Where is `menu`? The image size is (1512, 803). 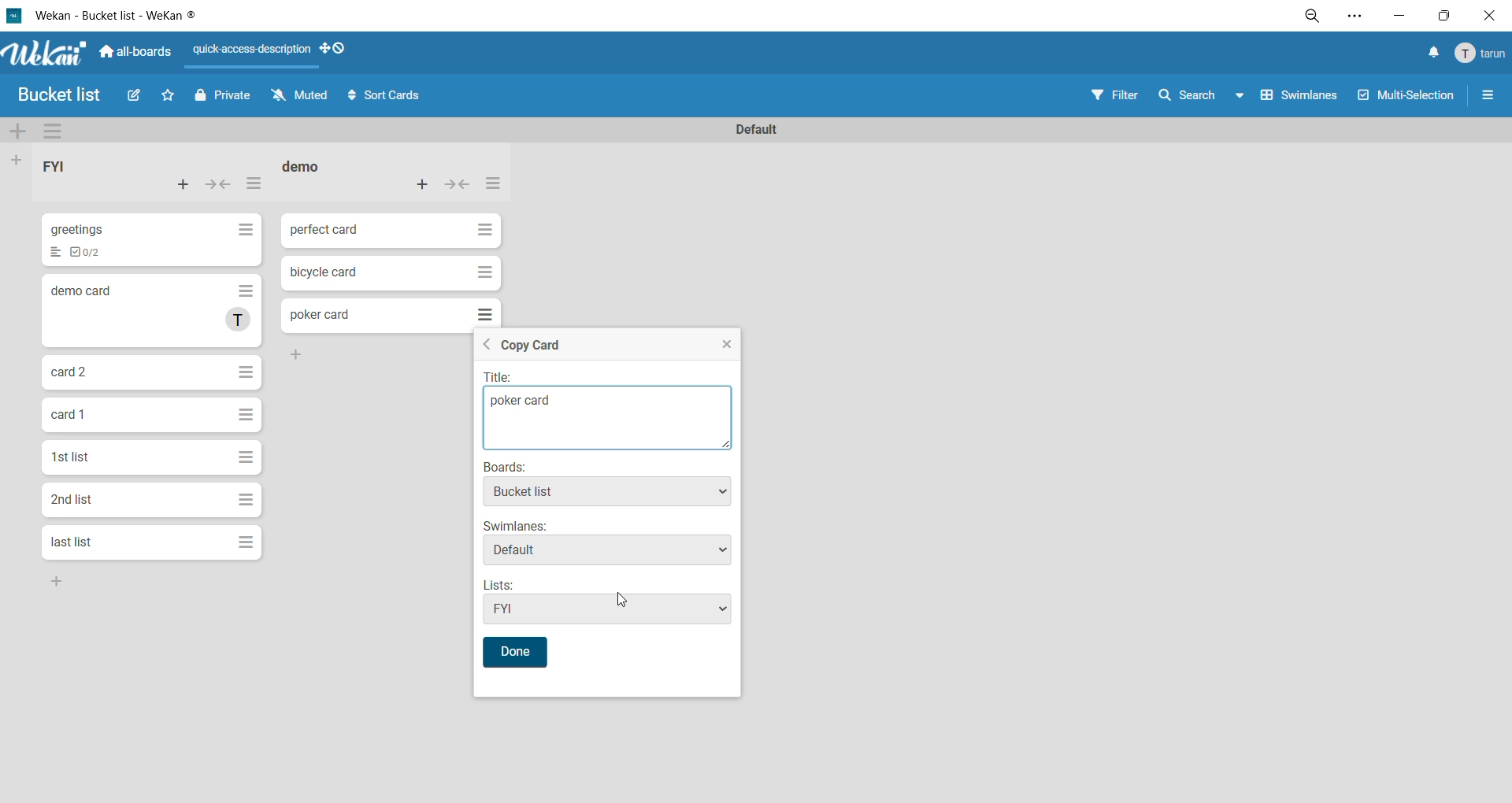
menu is located at coordinates (1477, 54).